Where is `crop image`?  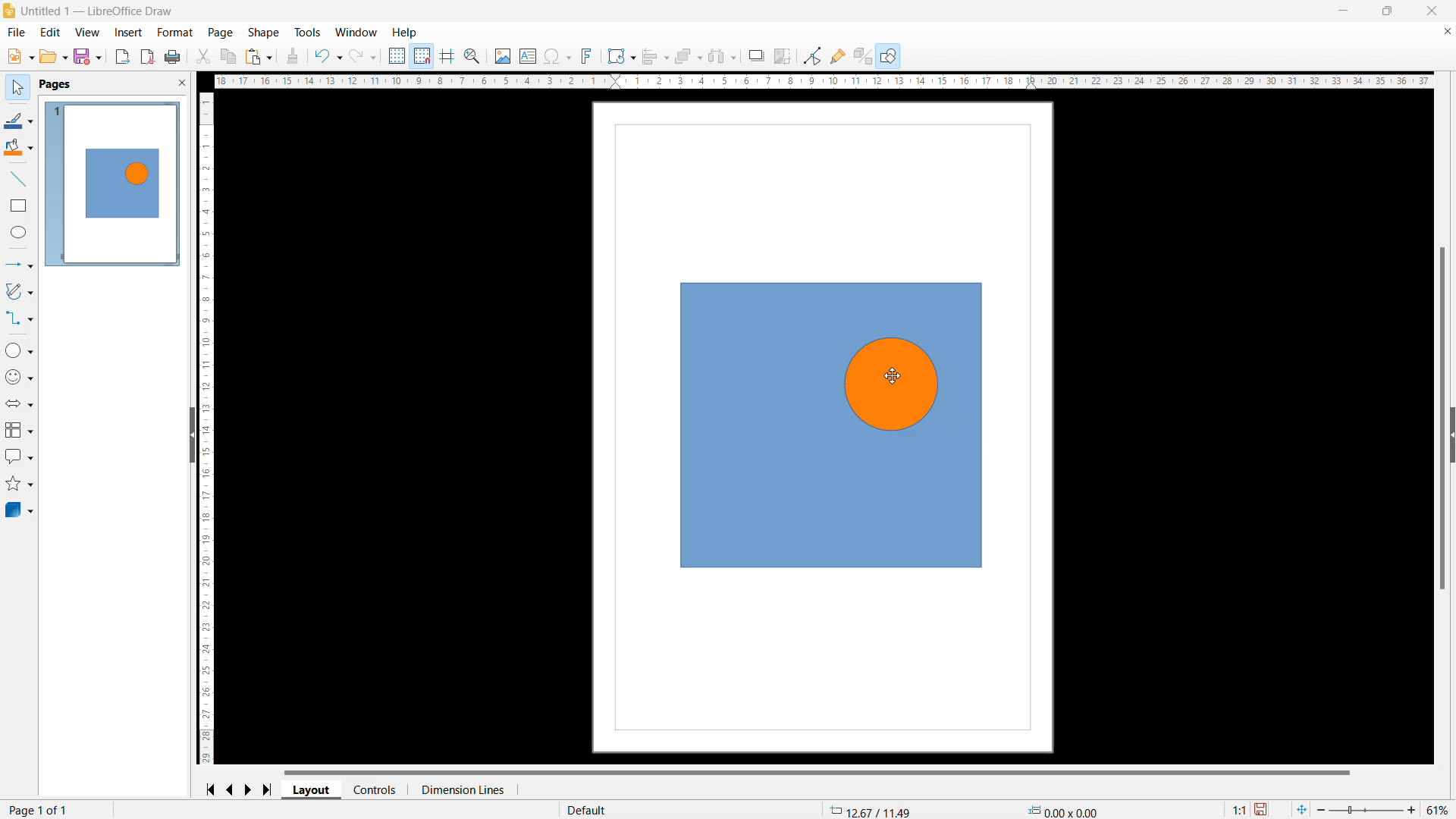 crop image is located at coordinates (783, 55).